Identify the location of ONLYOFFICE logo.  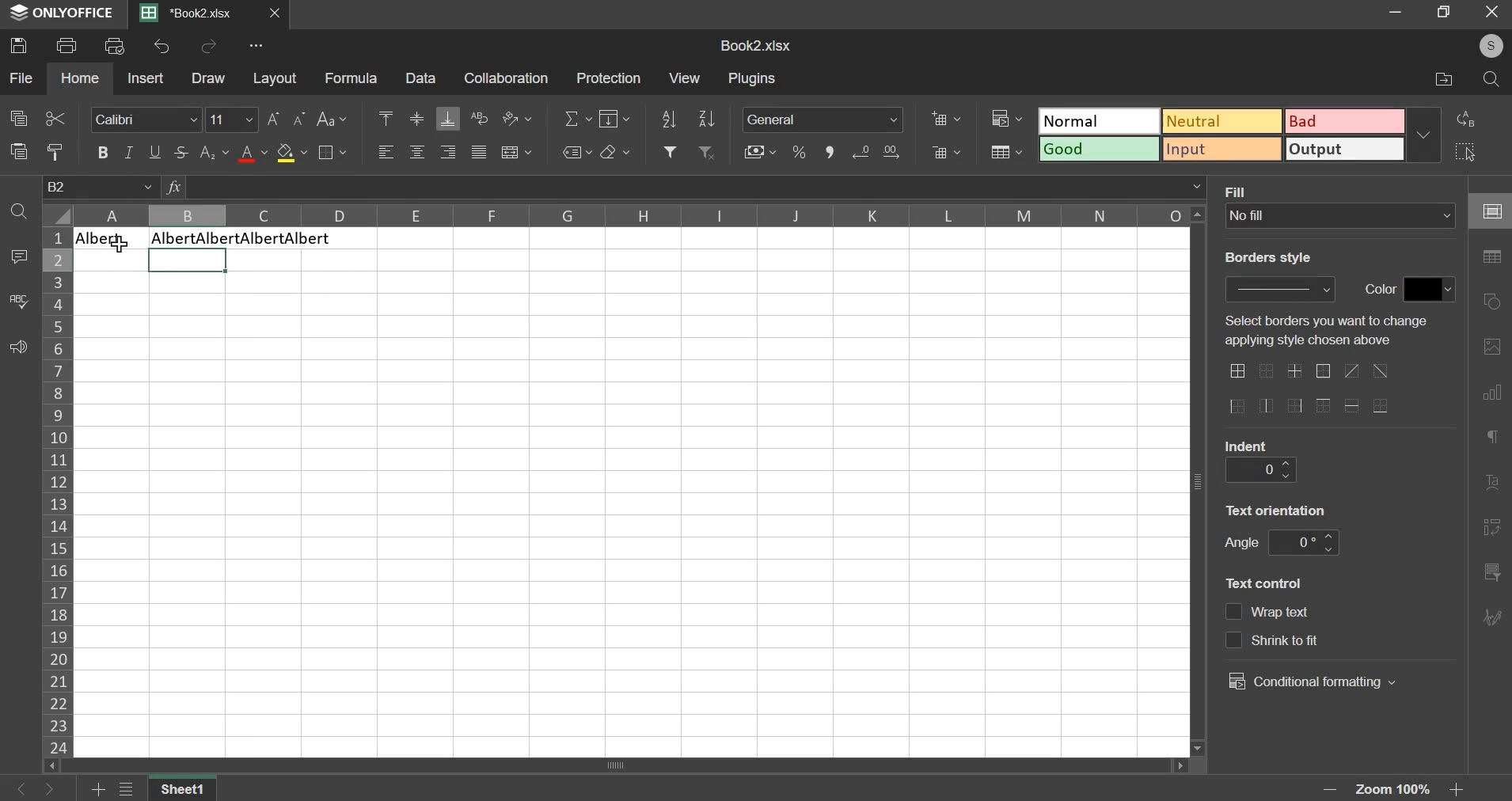
(63, 13).